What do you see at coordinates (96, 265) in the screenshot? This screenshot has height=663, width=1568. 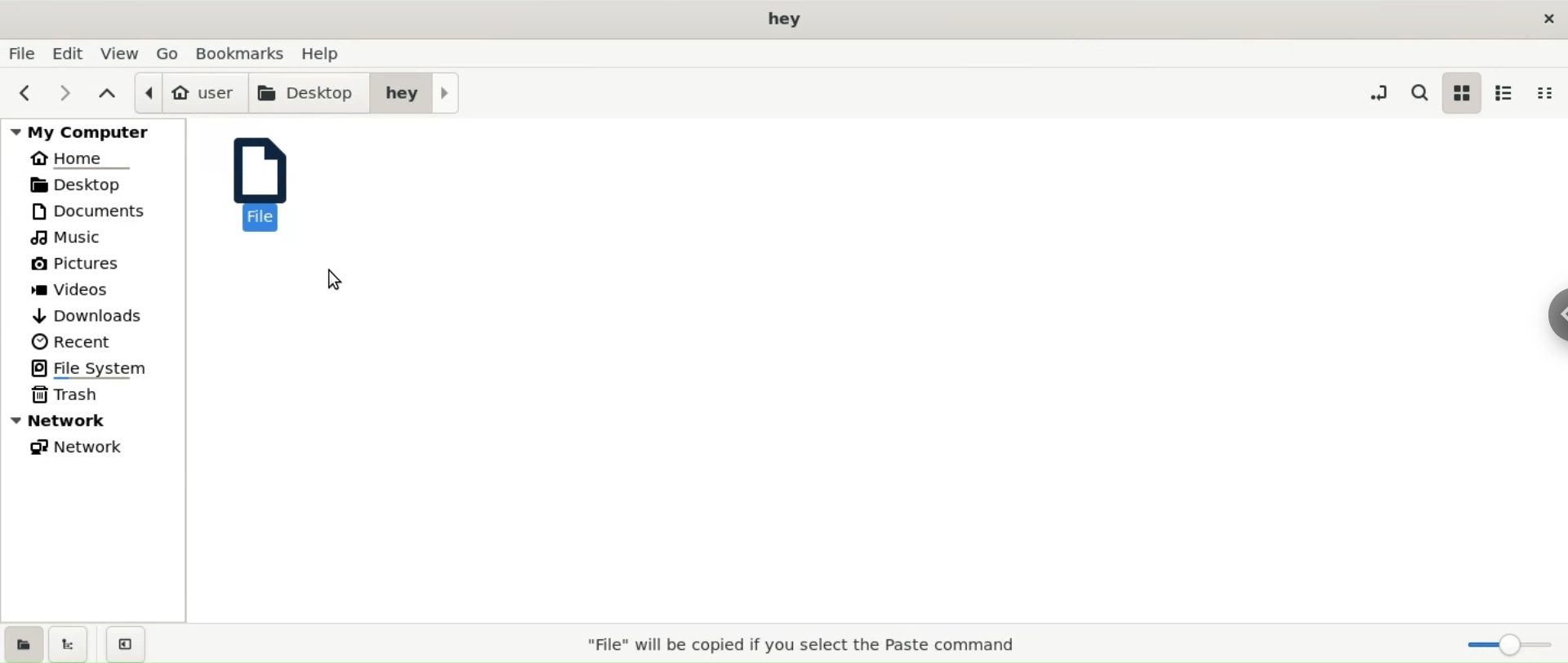 I see `pictures` at bounding box center [96, 265].